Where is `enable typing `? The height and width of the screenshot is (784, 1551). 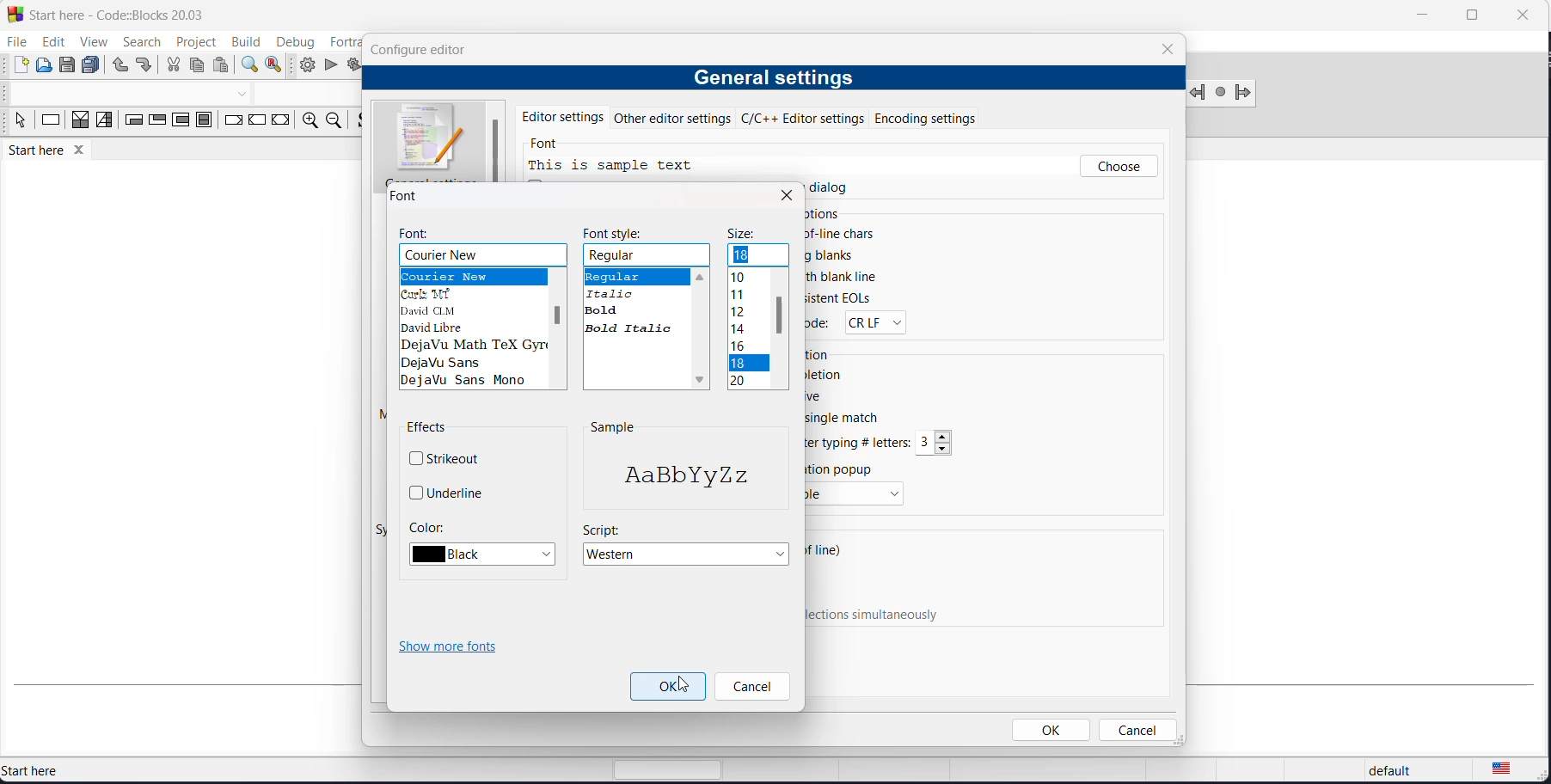
enable typing  is located at coordinates (882, 616).